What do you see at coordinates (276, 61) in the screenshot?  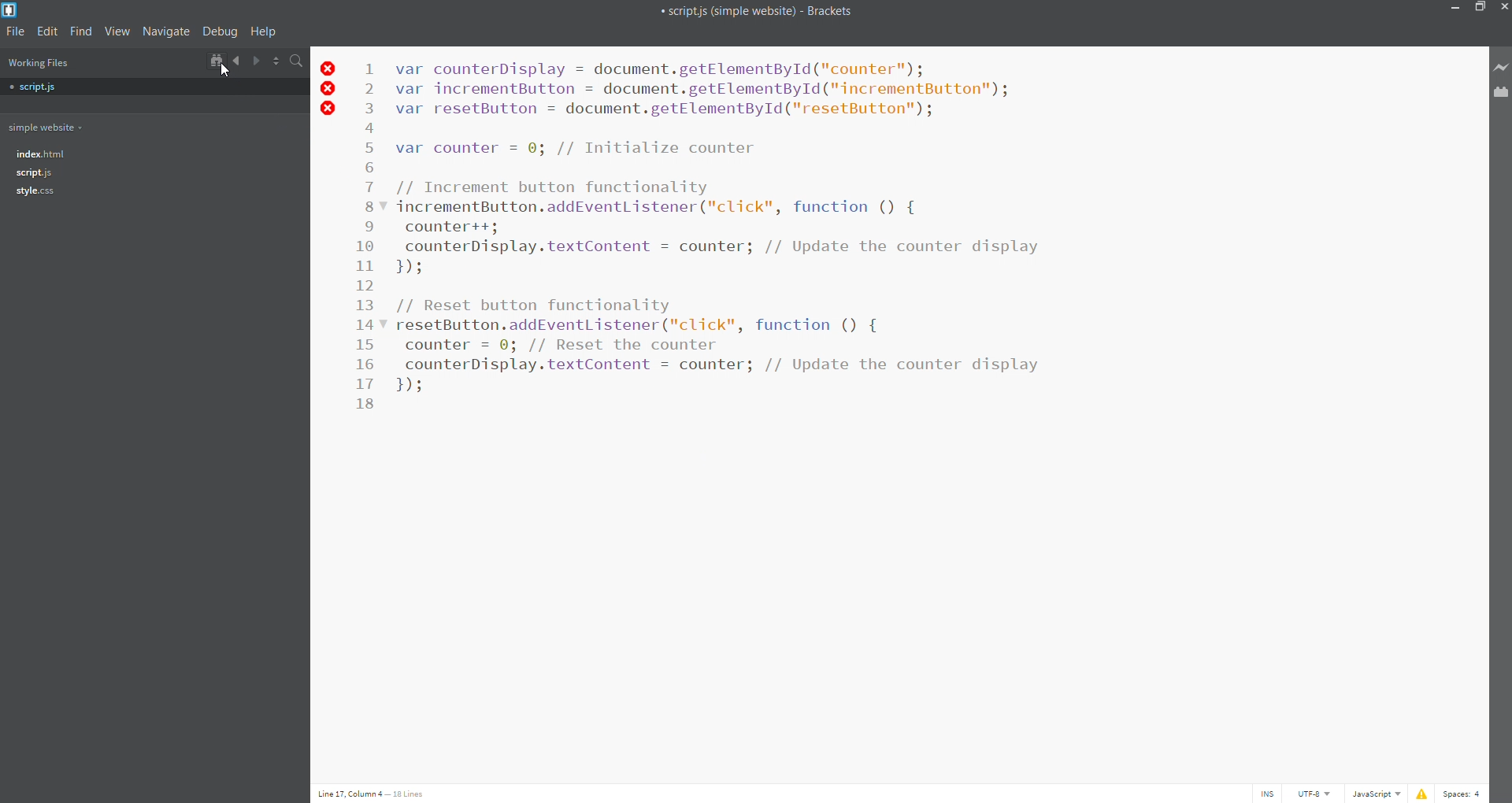 I see `split horizontally/vertically` at bounding box center [276, 61].